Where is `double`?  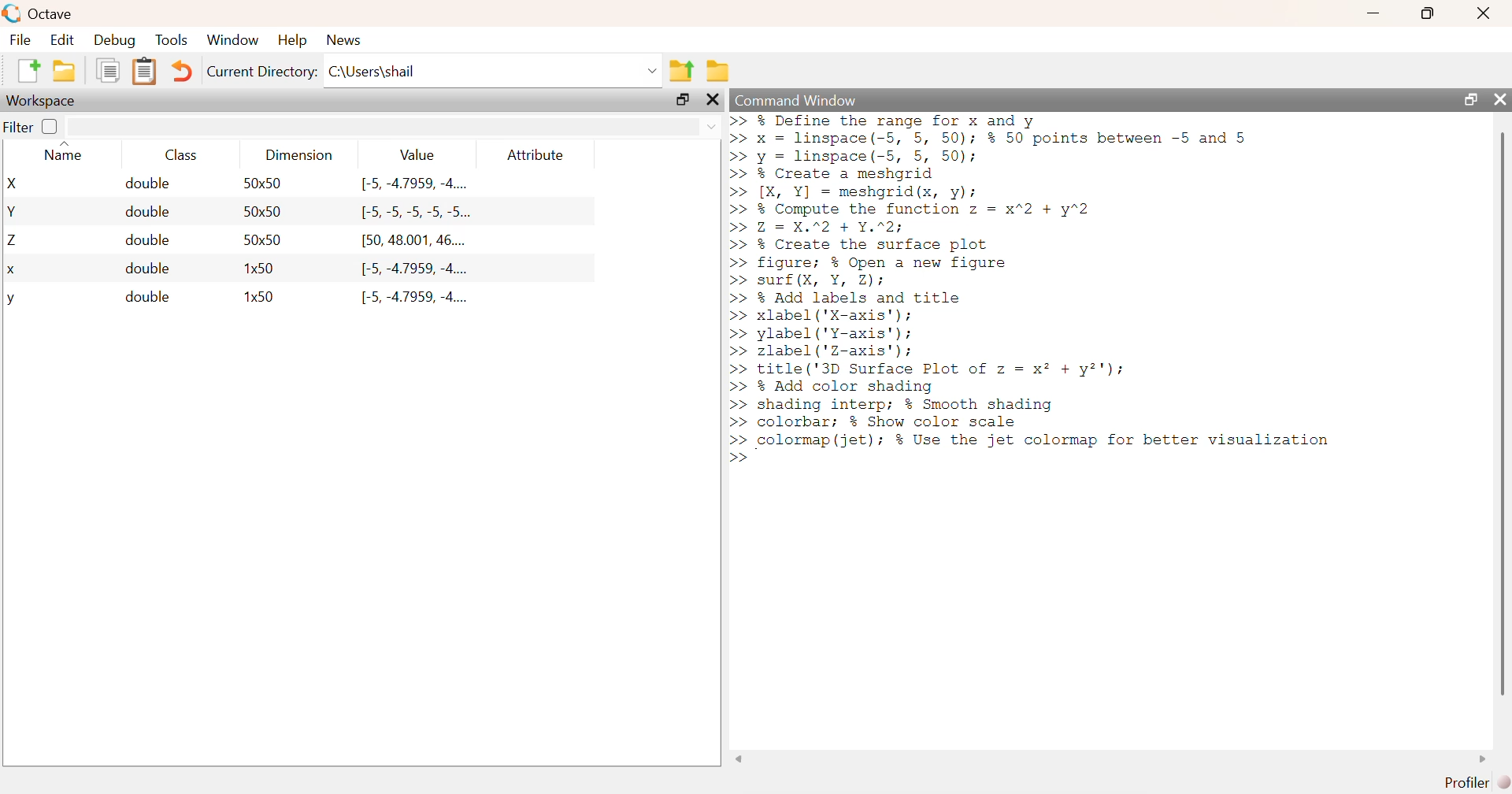 double is located at coordinates (149, 184).